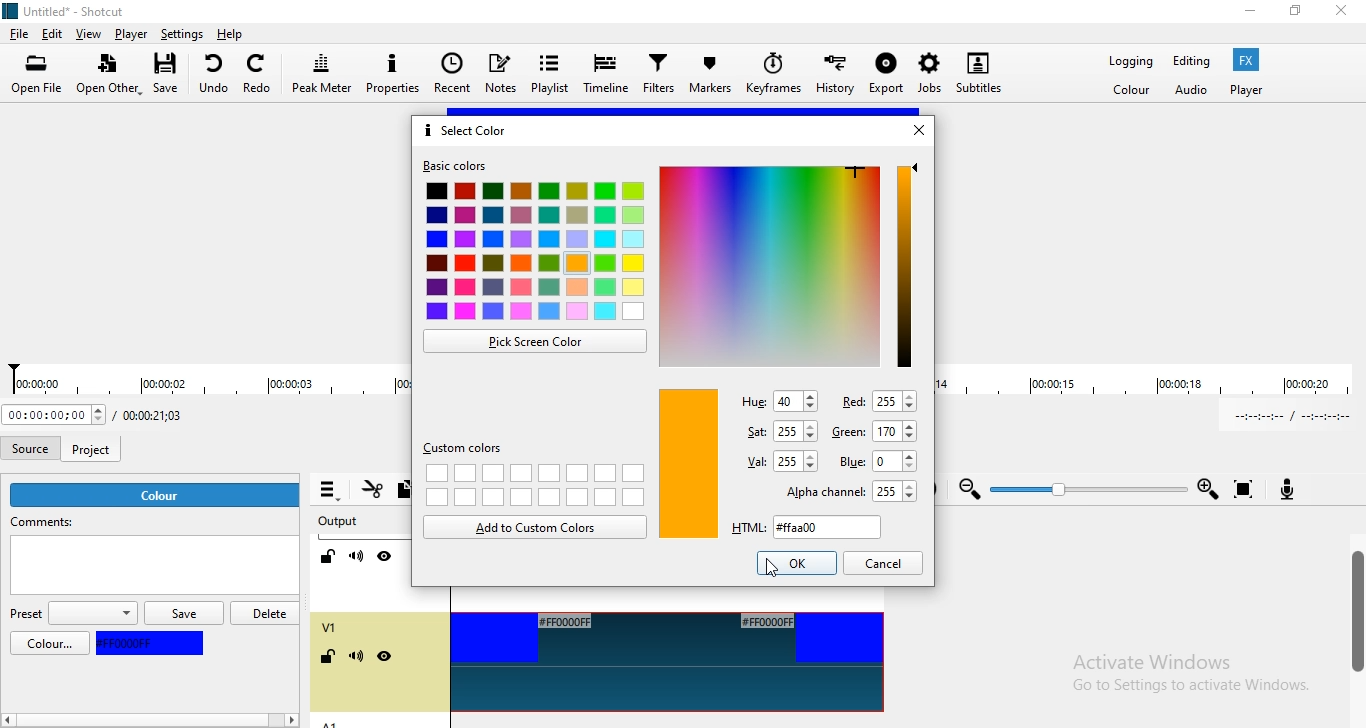 Image resolution: width=1366 pixels, height=728 pixels. Describe the element at coordinates (357, 557) in the screenshot. I see `Mute` at that location.